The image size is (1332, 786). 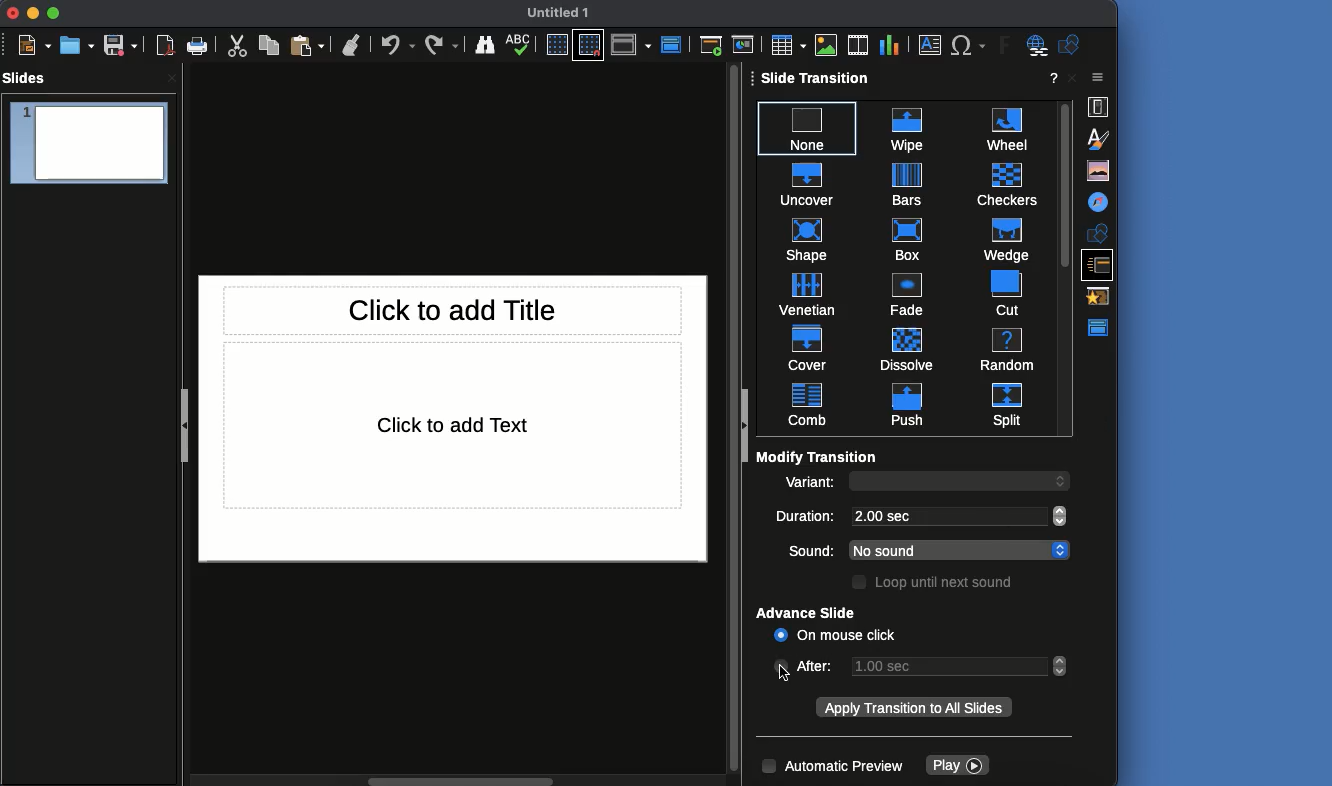 I want to click on Gallery, so click(x=1099, y=172).